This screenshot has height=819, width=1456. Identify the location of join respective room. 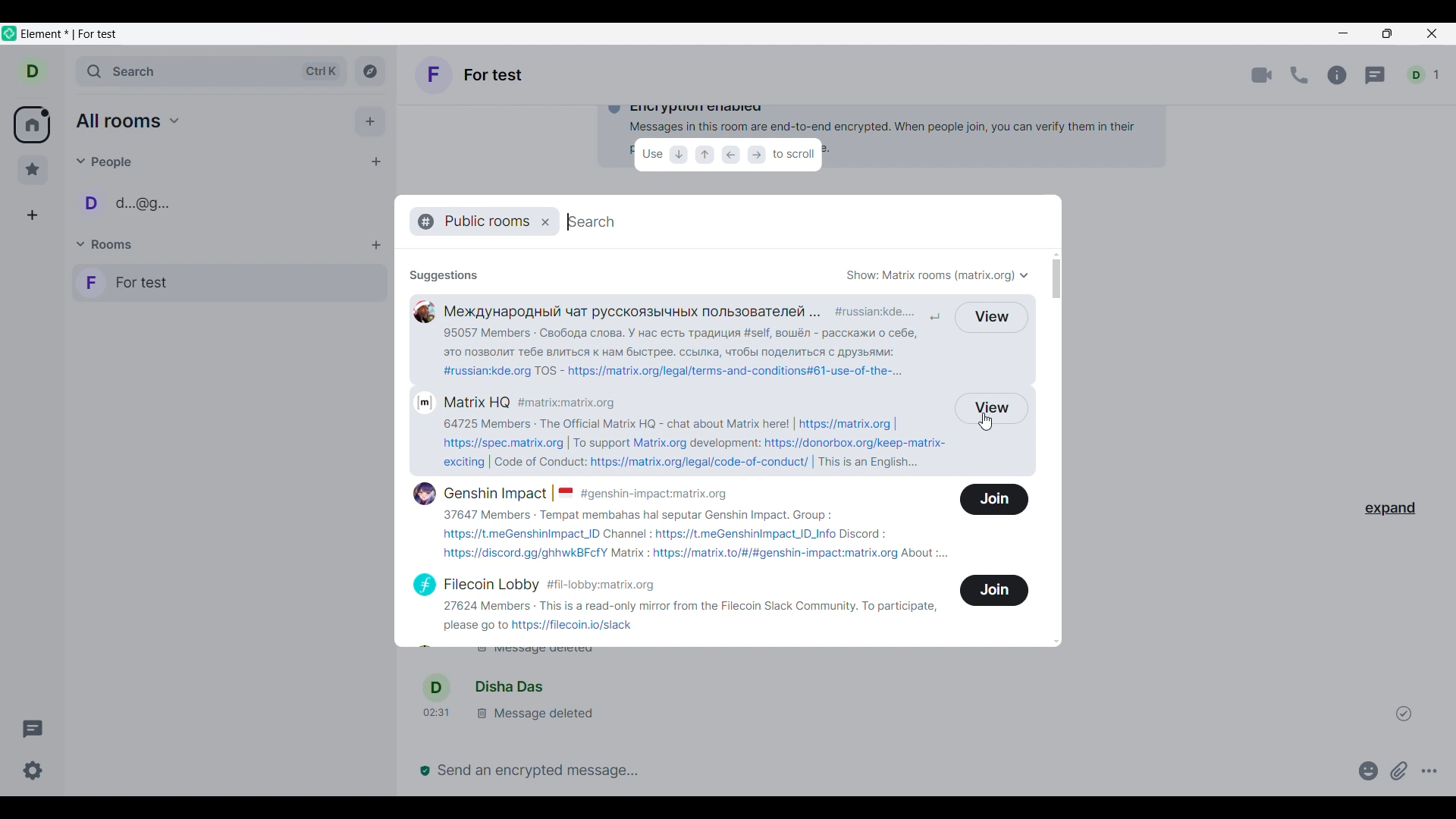
(994, 590).